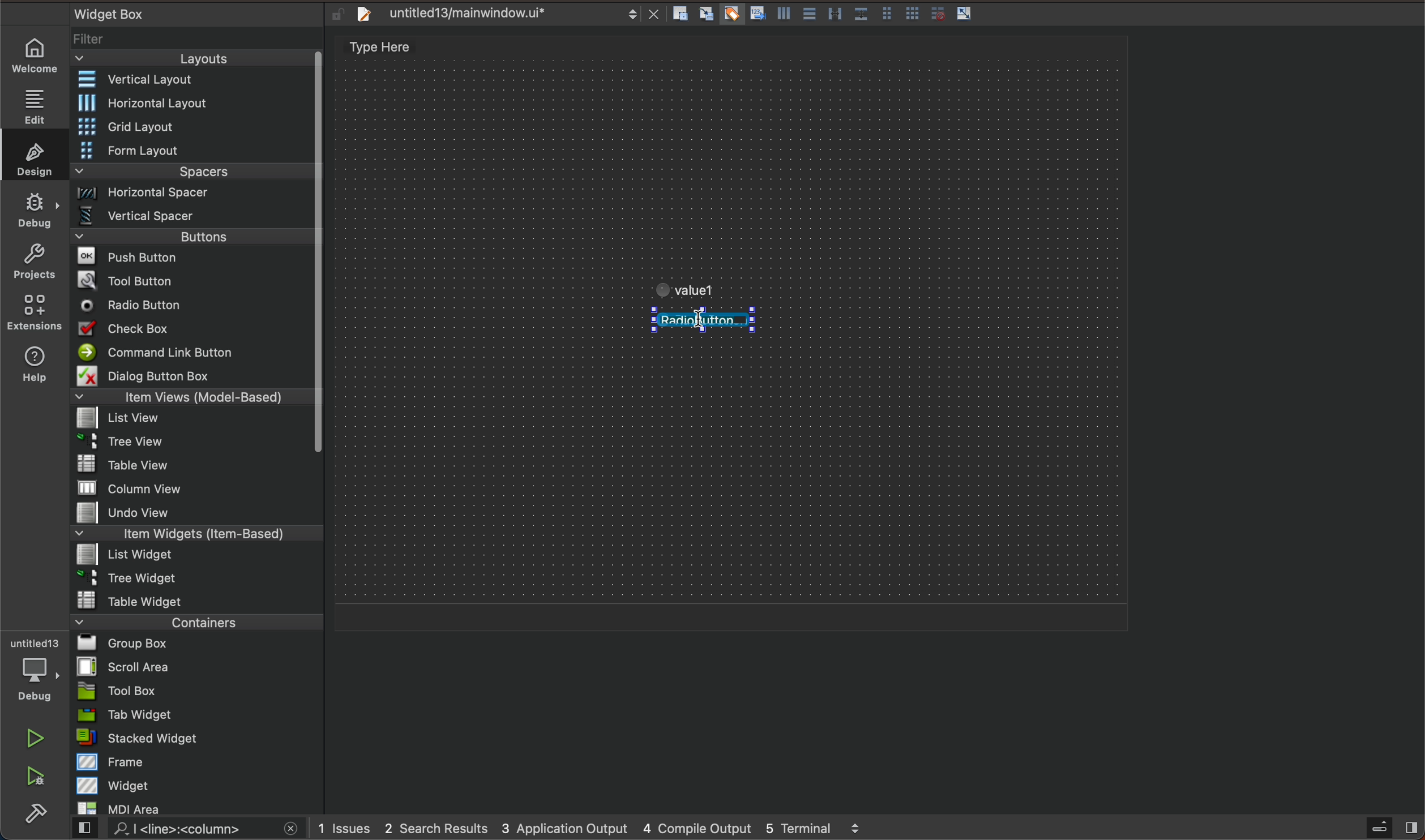 The image size is (1425, 840). I want to click on , so click(886, 15).